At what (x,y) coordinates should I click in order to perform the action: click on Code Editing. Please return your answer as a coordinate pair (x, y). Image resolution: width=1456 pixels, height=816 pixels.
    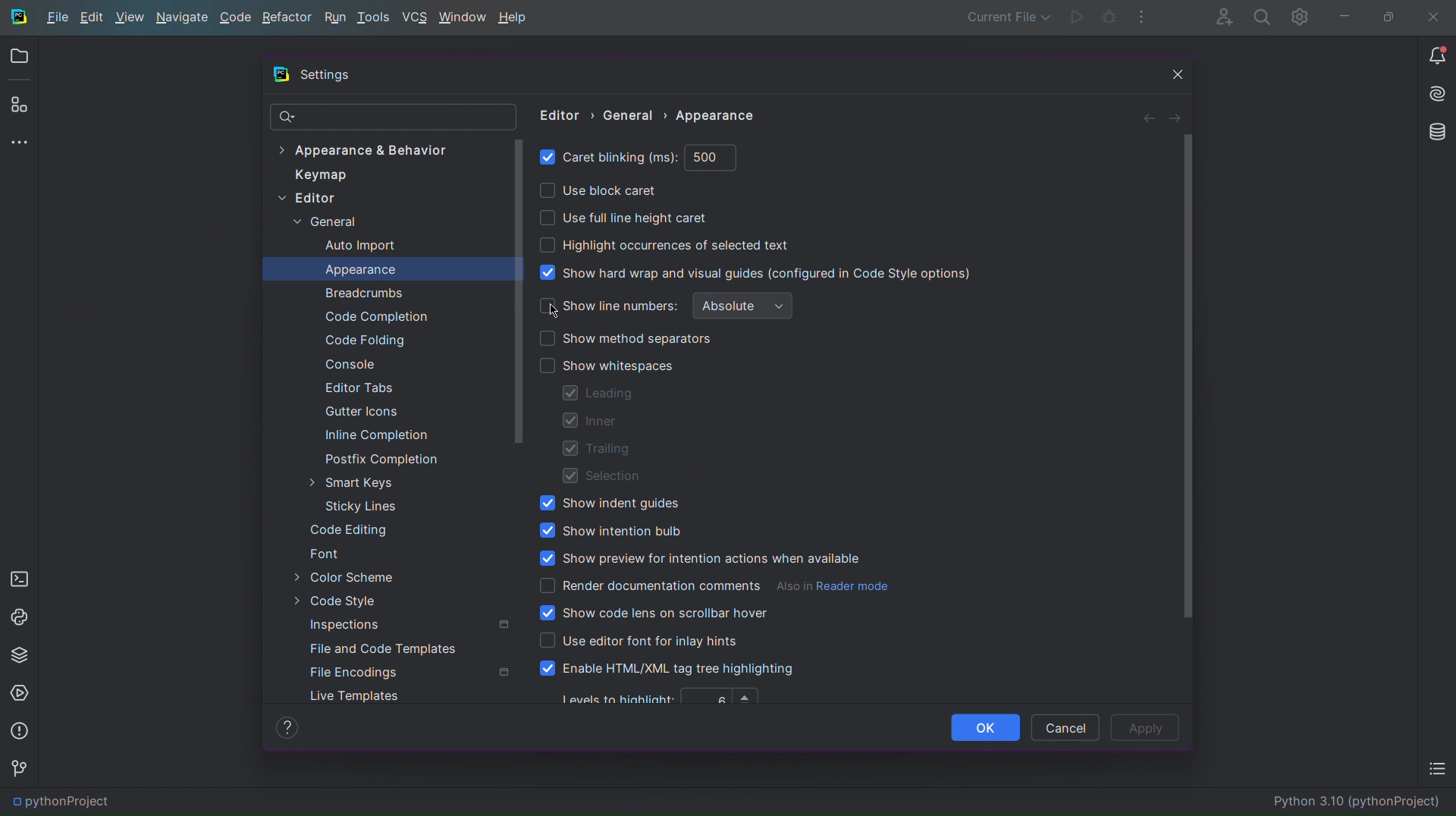
    Looking at the image, I should click on (352, 530).